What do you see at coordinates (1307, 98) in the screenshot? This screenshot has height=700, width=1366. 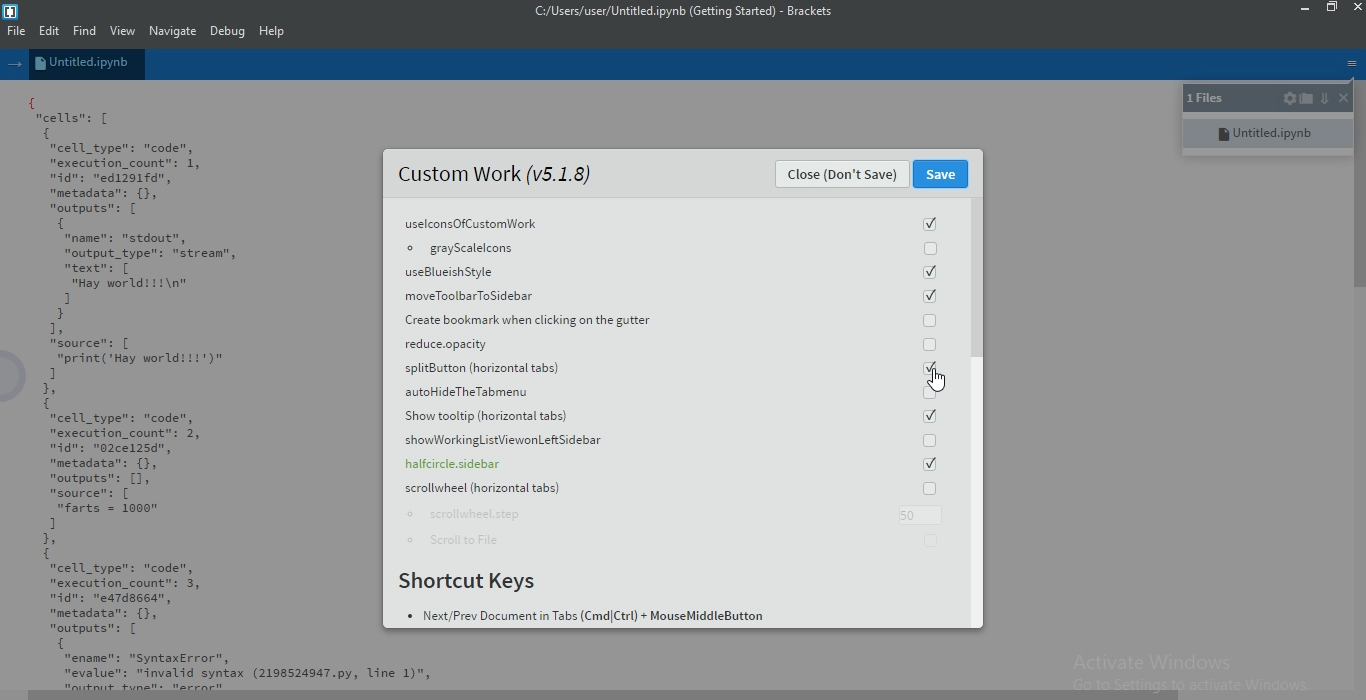 I see `open folder` at bounding box center [1307, 98].